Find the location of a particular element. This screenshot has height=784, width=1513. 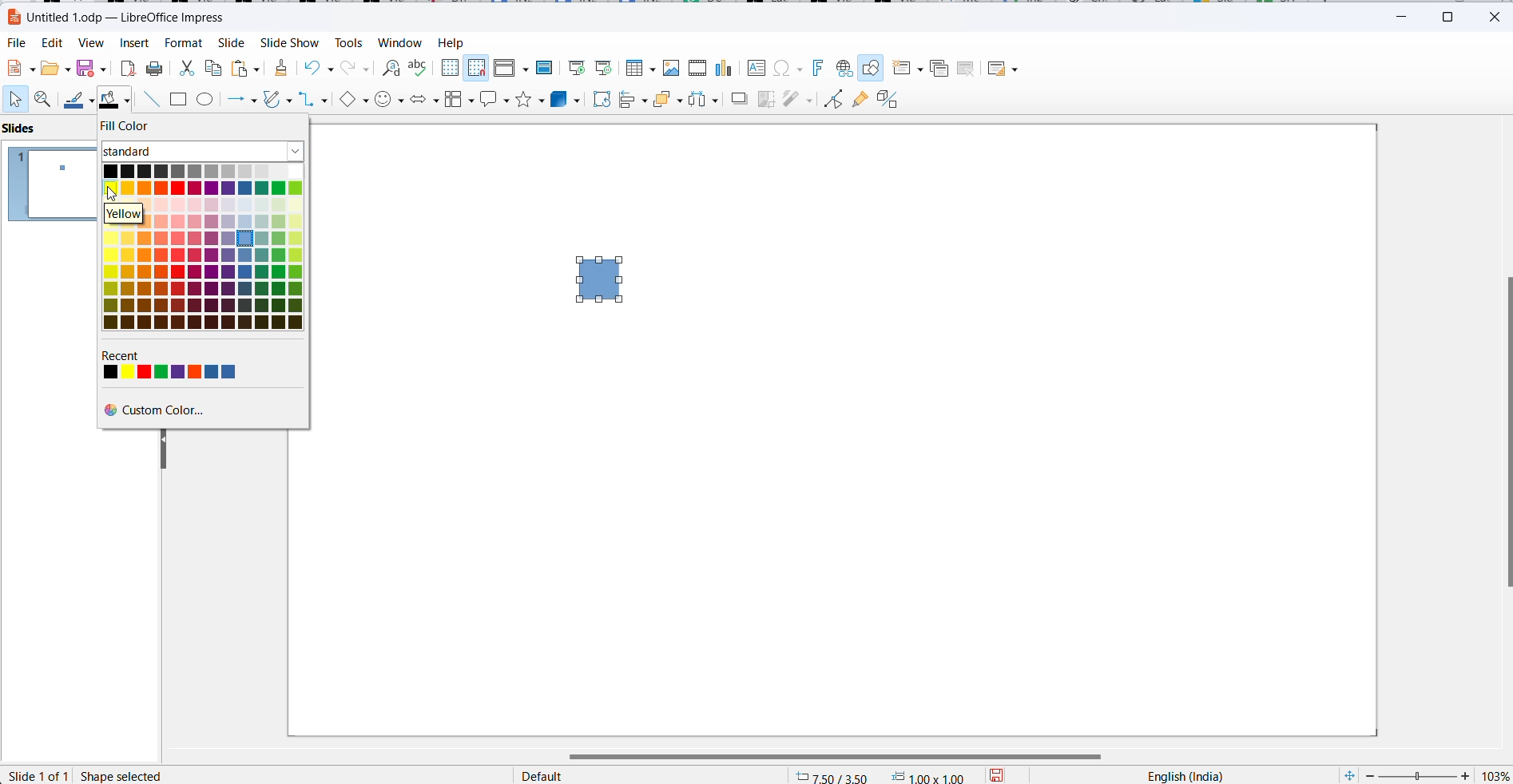

fill color is located at coordinates (111, 100).